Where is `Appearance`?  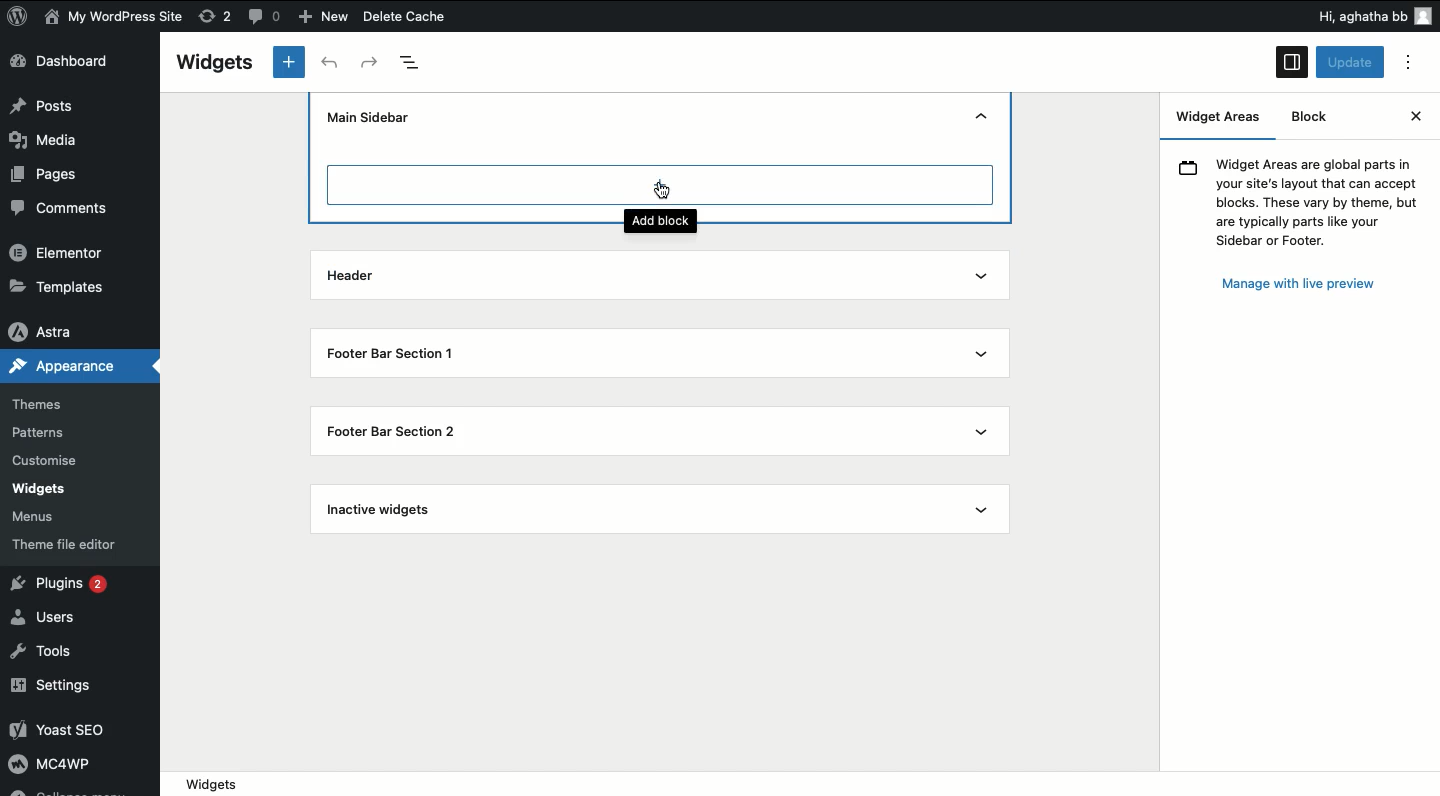 Appearance is located at coordinates (70, 365).